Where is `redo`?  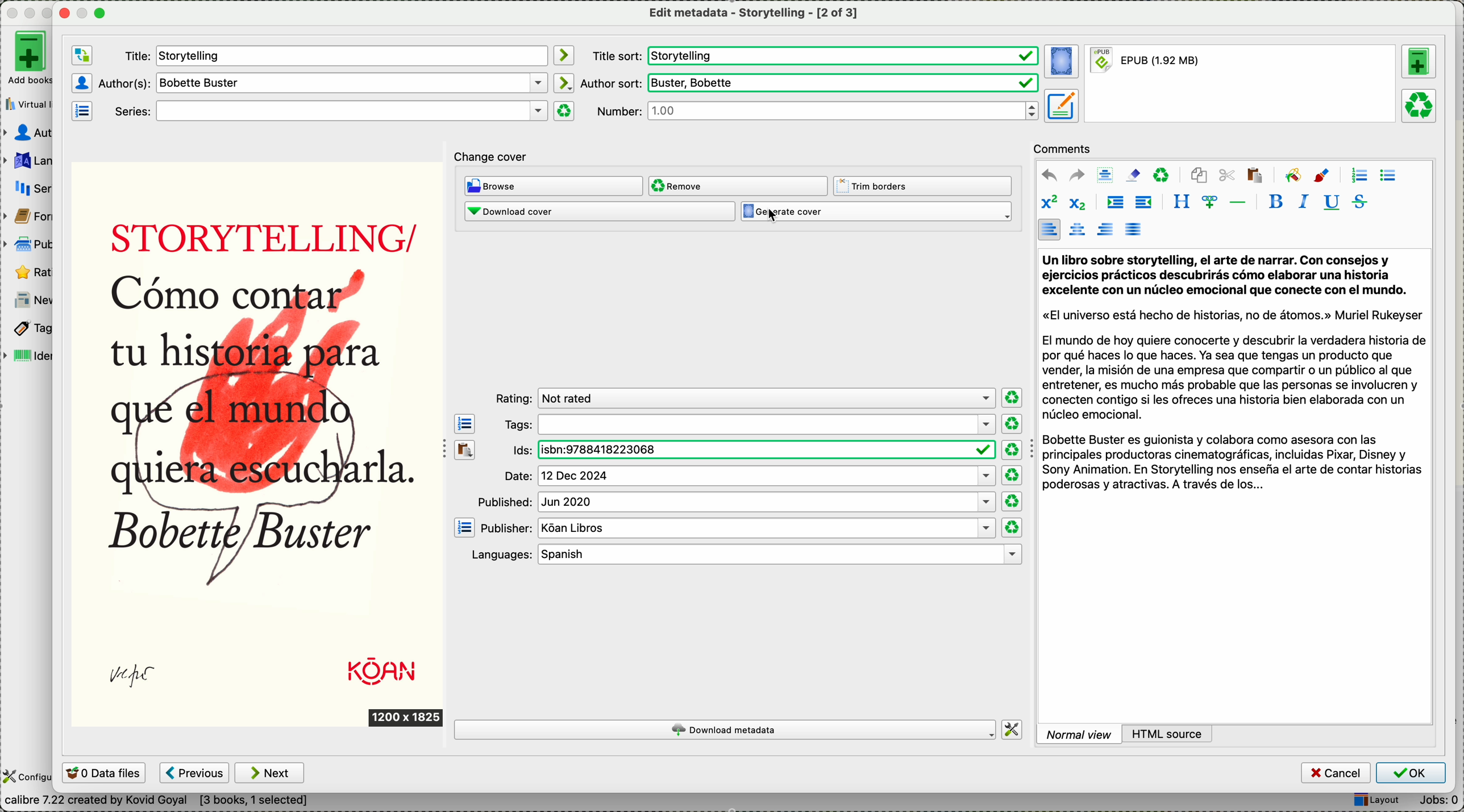
redo is located at coordinates (1075, 175).